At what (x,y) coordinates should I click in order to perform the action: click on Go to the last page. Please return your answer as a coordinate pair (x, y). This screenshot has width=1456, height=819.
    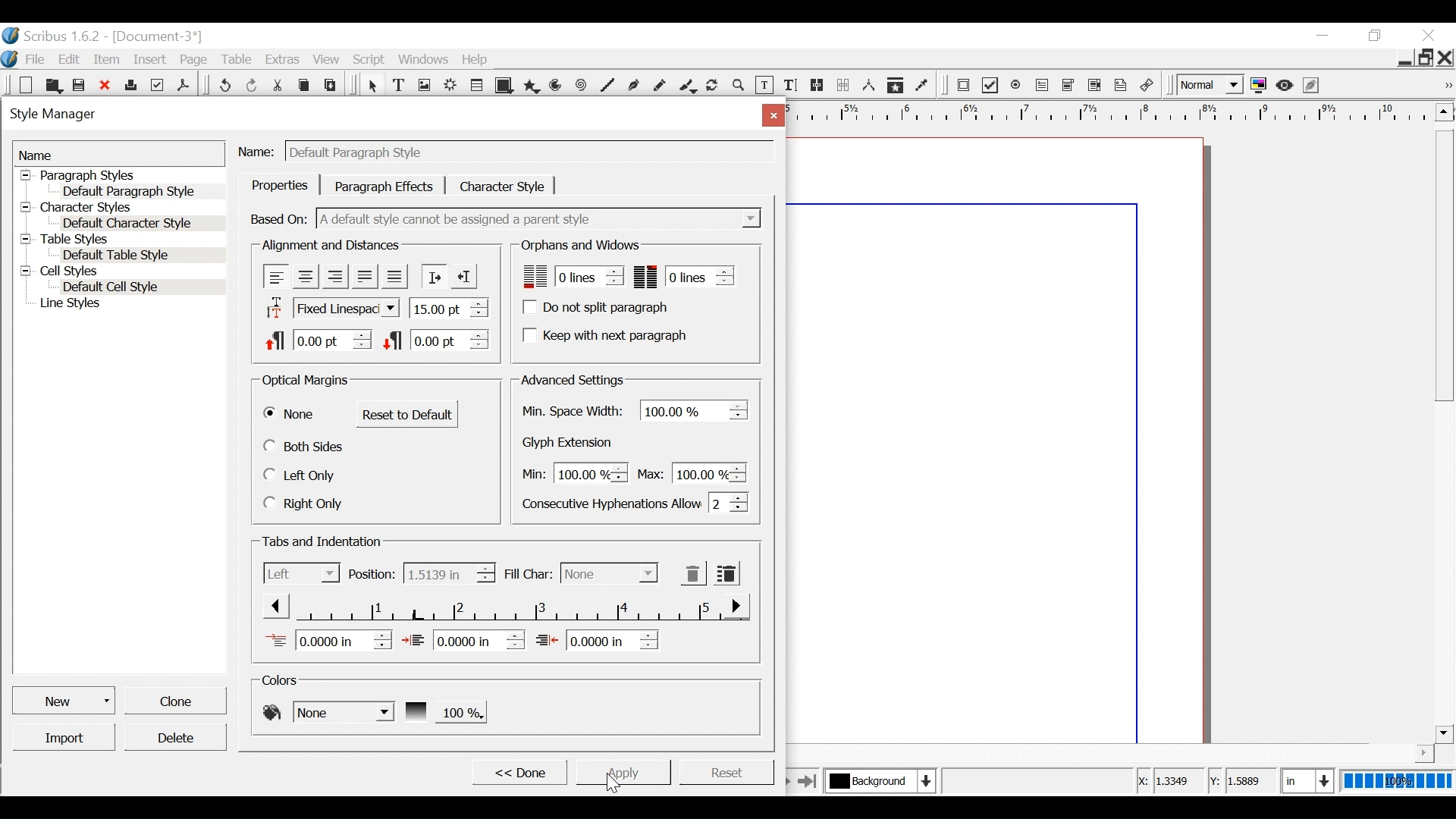
    Looking at the image, I should click on (808, 780).